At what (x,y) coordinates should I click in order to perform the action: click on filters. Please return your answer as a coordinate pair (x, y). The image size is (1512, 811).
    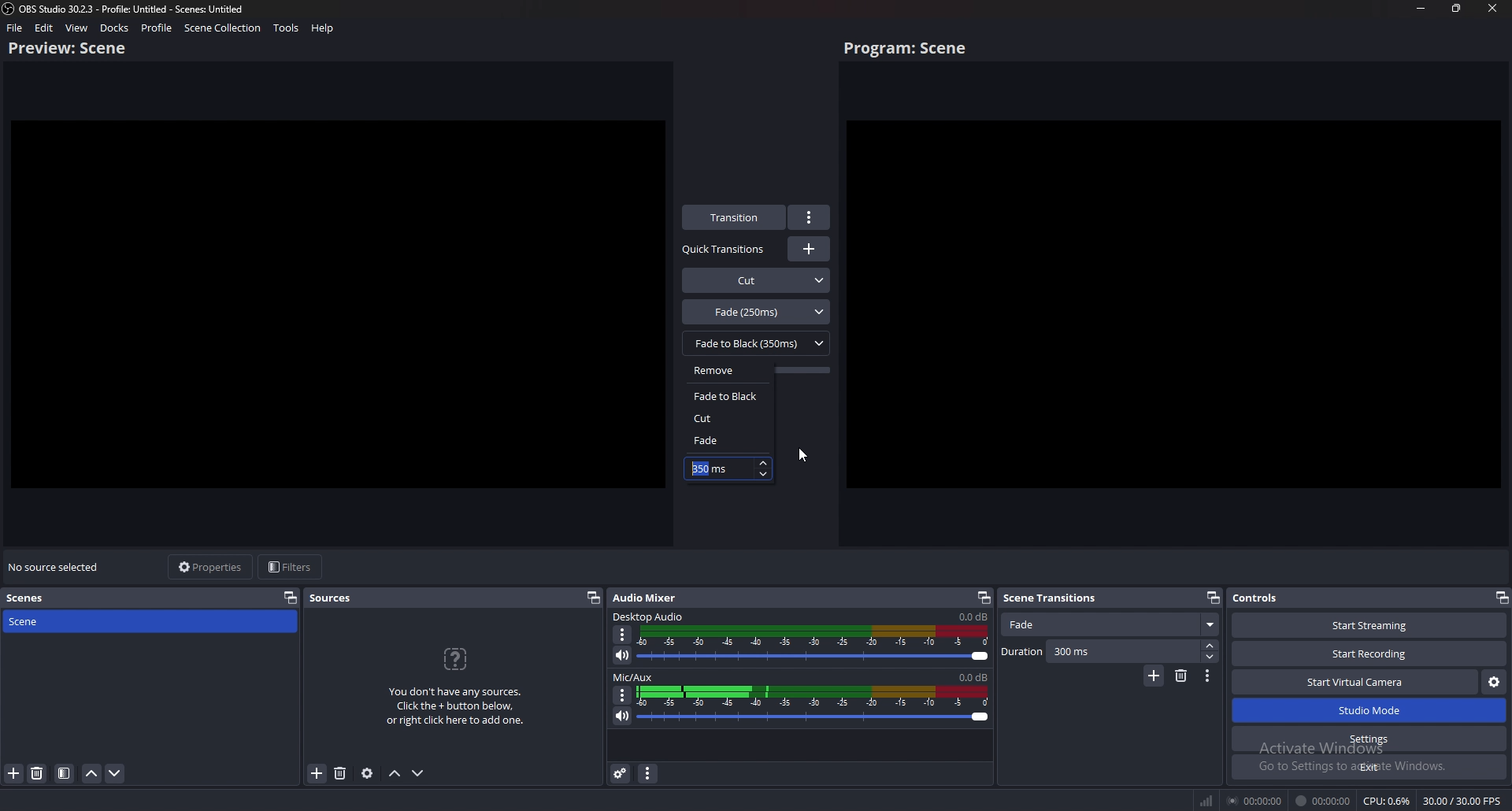
    Looking at the image, I should click on (292, 568).